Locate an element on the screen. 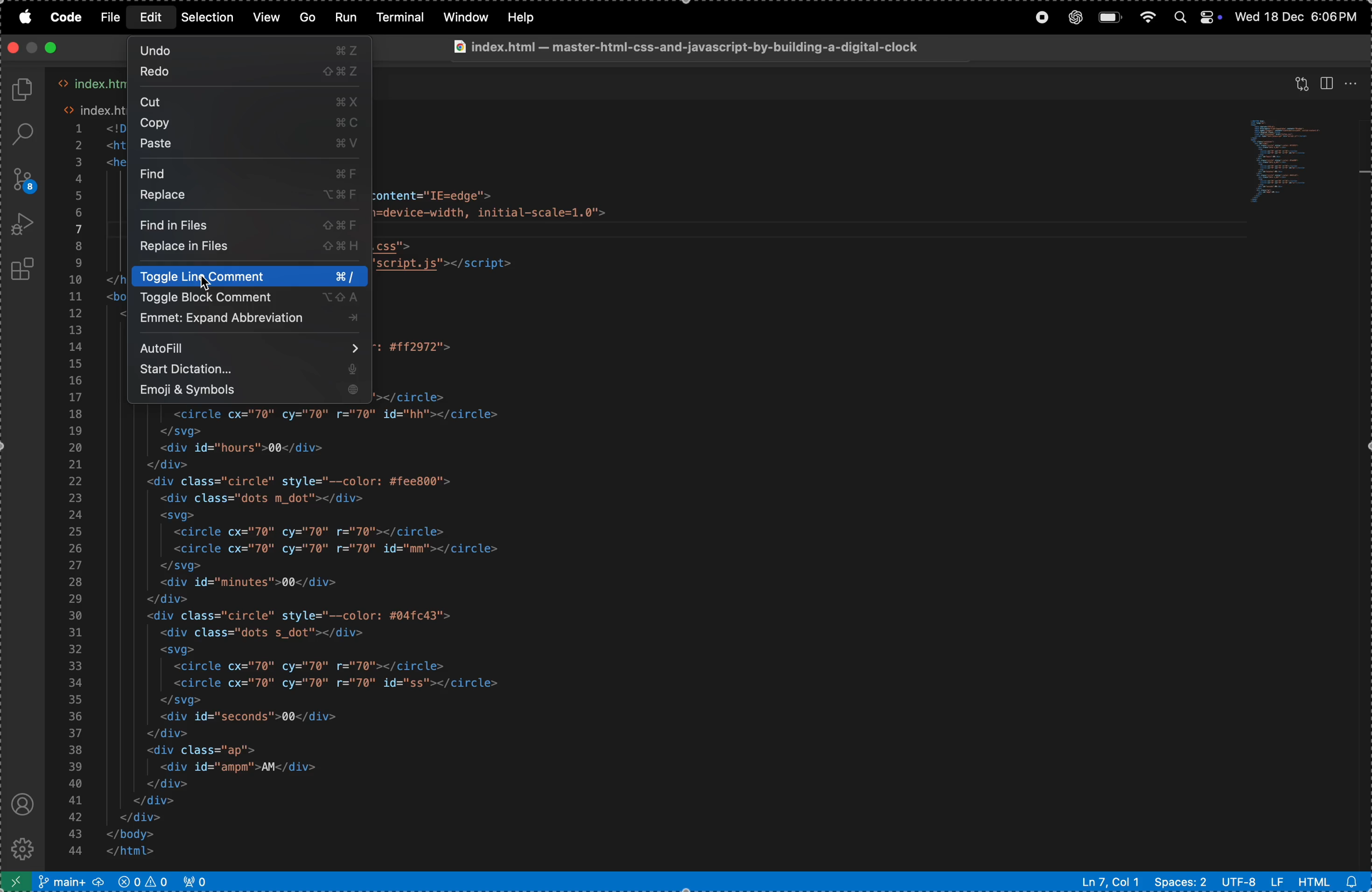 This screenshot has width=1372, height=892. split editor is located at coordinates (1328, 82).